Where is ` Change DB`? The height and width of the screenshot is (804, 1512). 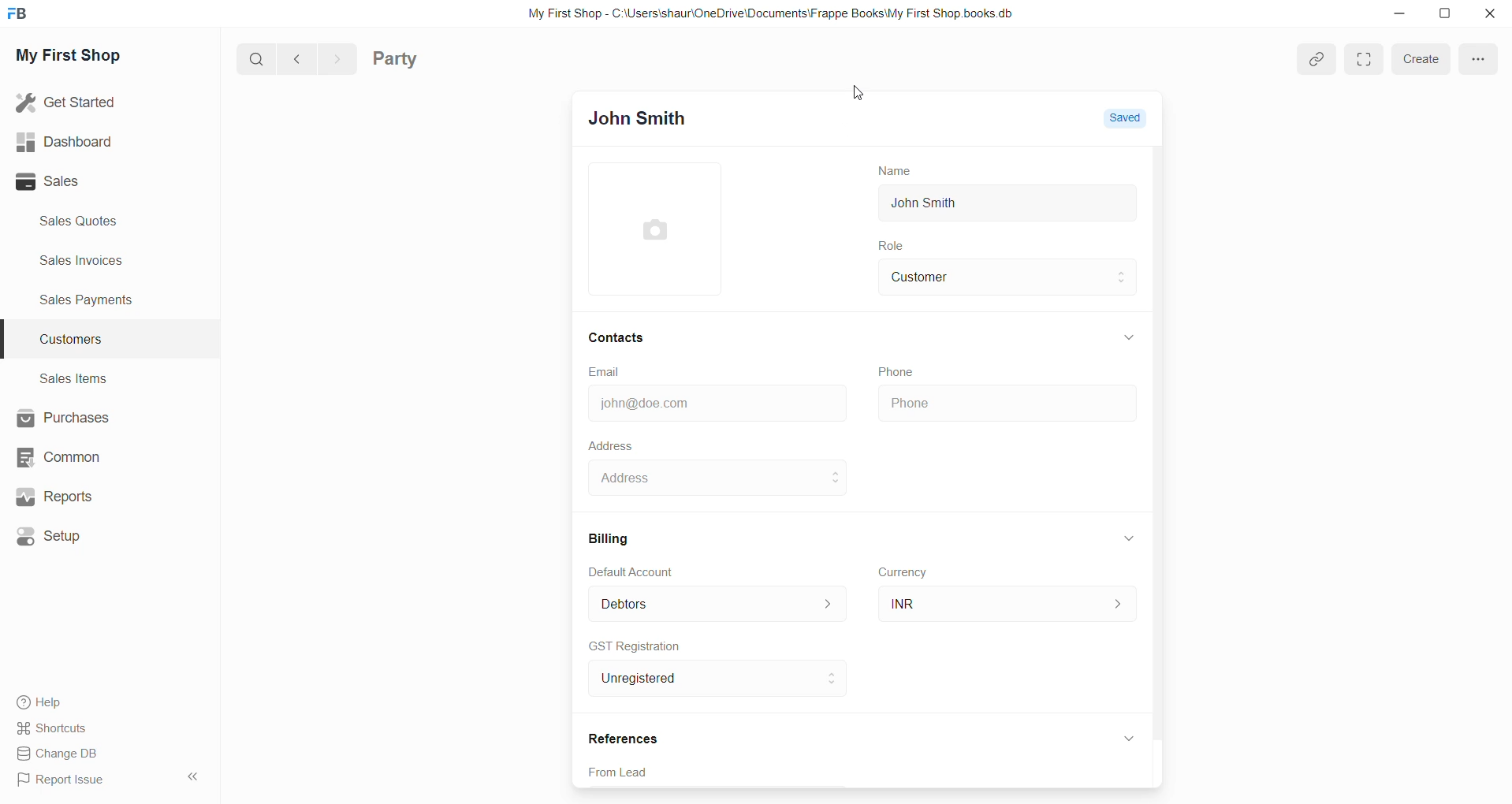  Change DB is located at coordinates (61, 753).